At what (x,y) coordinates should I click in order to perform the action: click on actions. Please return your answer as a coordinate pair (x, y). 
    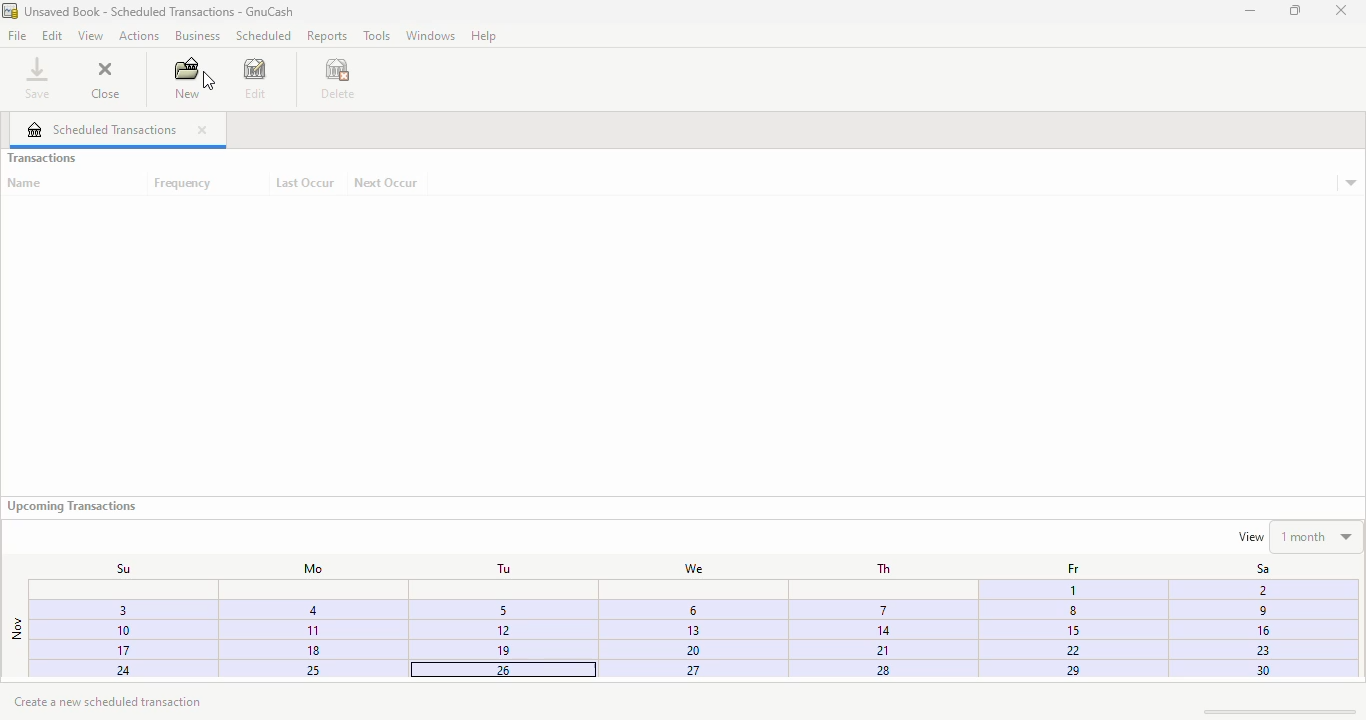
    Looking at the image, I should click on (138, 36).